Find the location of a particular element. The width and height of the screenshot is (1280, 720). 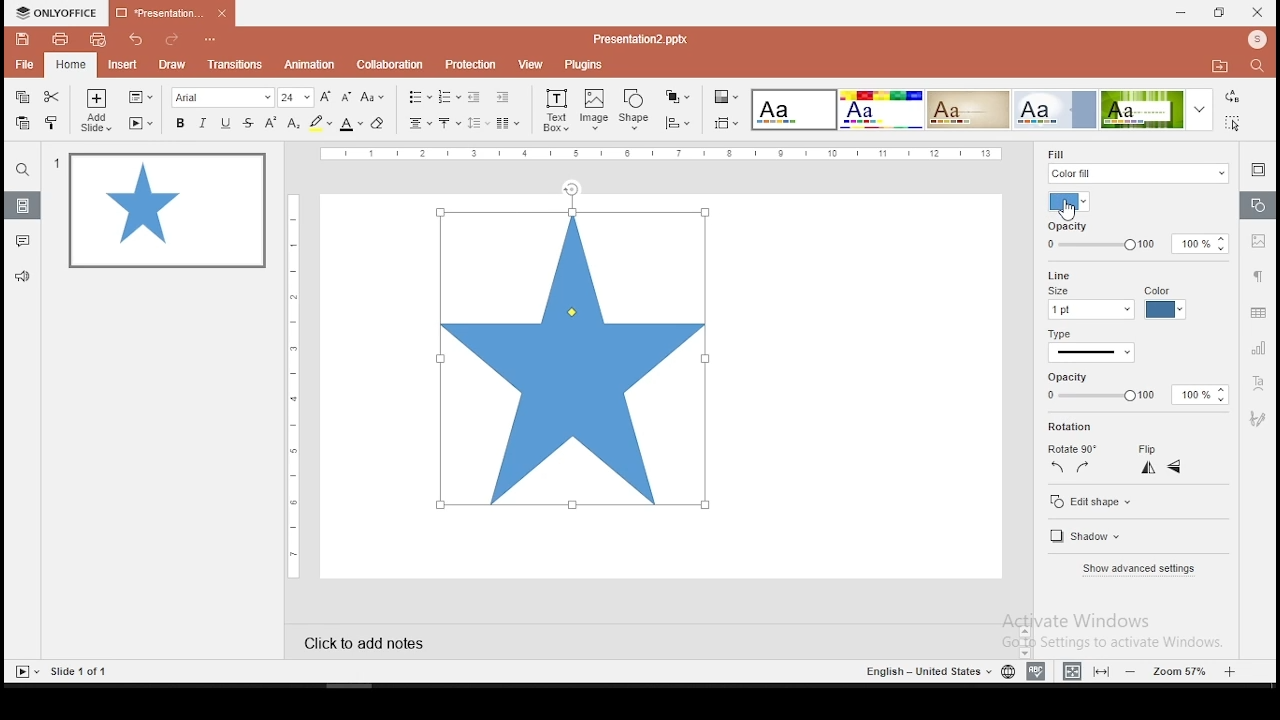

click to add notes is located at coordinates (382, 641).